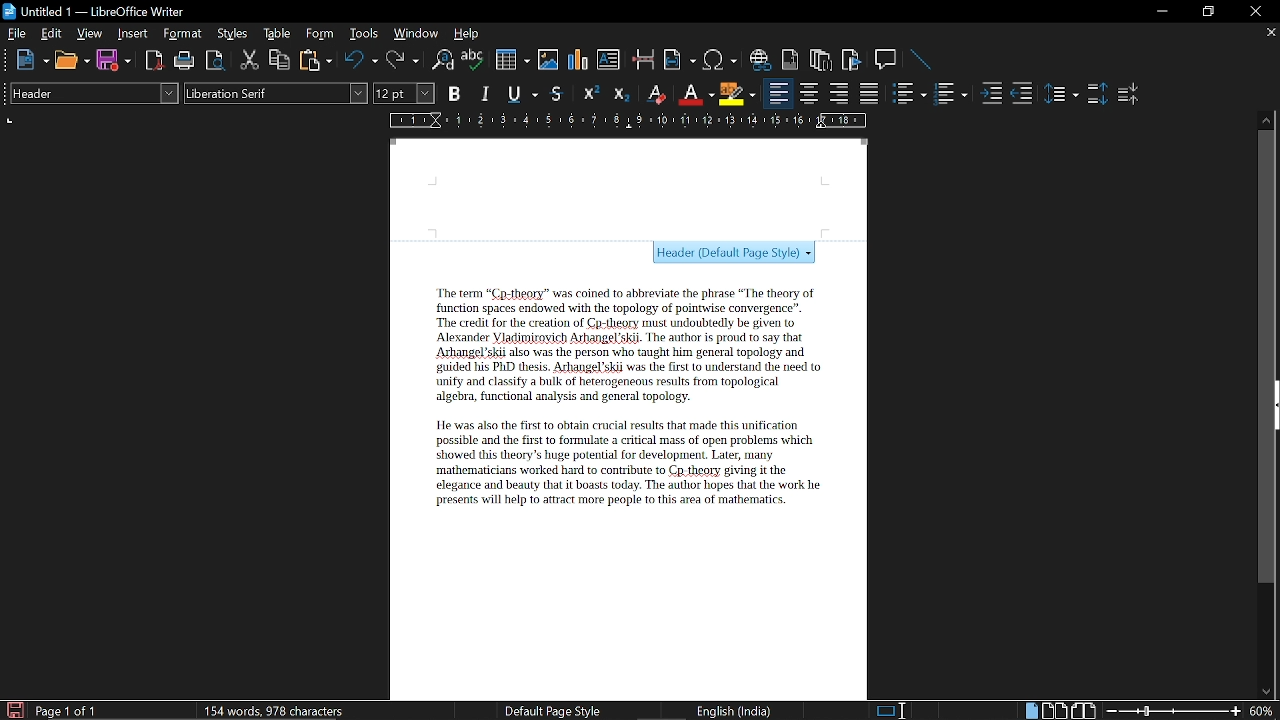  I want to click on Insert hyperlink, so click(761, 60).